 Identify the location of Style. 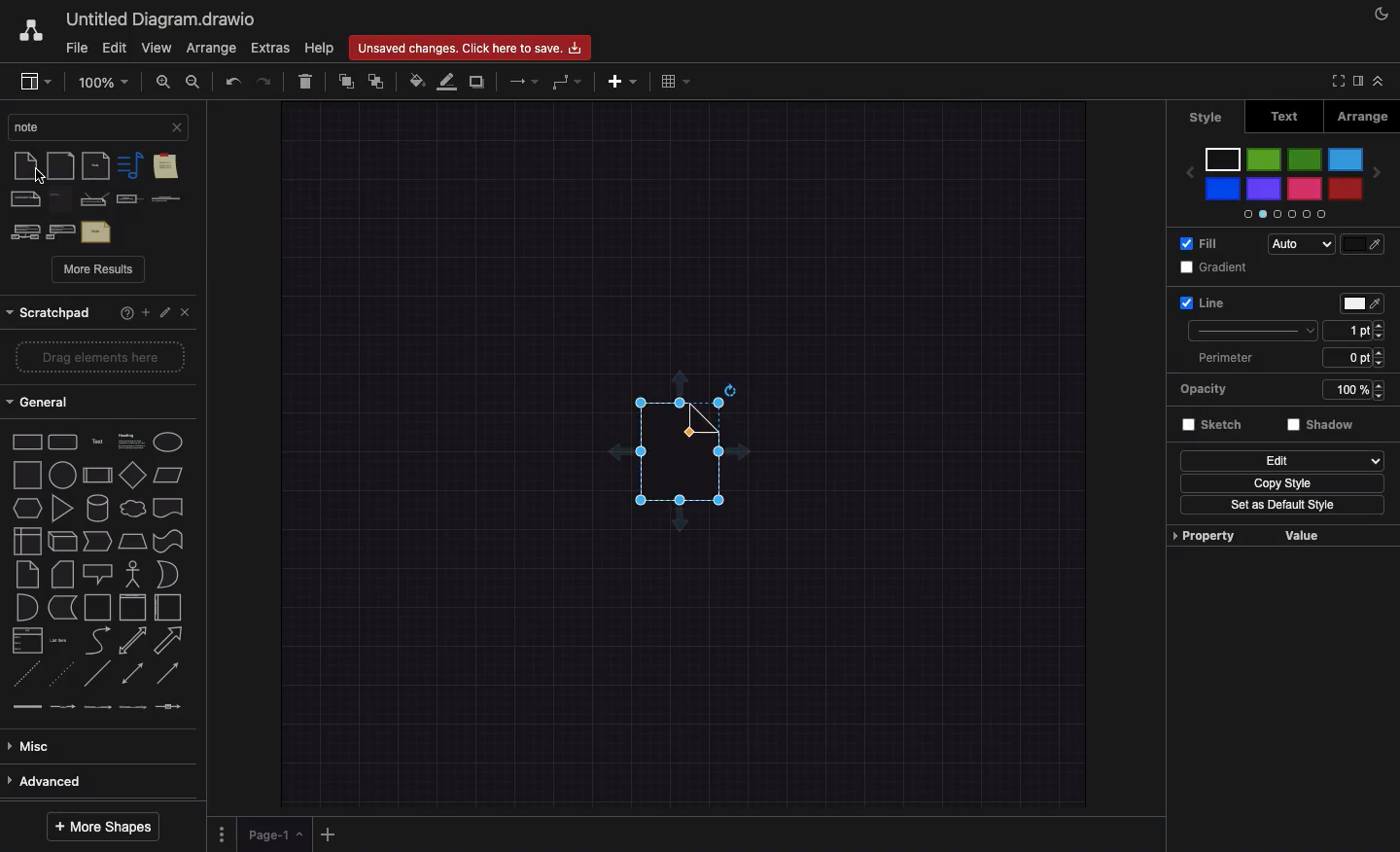
(1254, 329).